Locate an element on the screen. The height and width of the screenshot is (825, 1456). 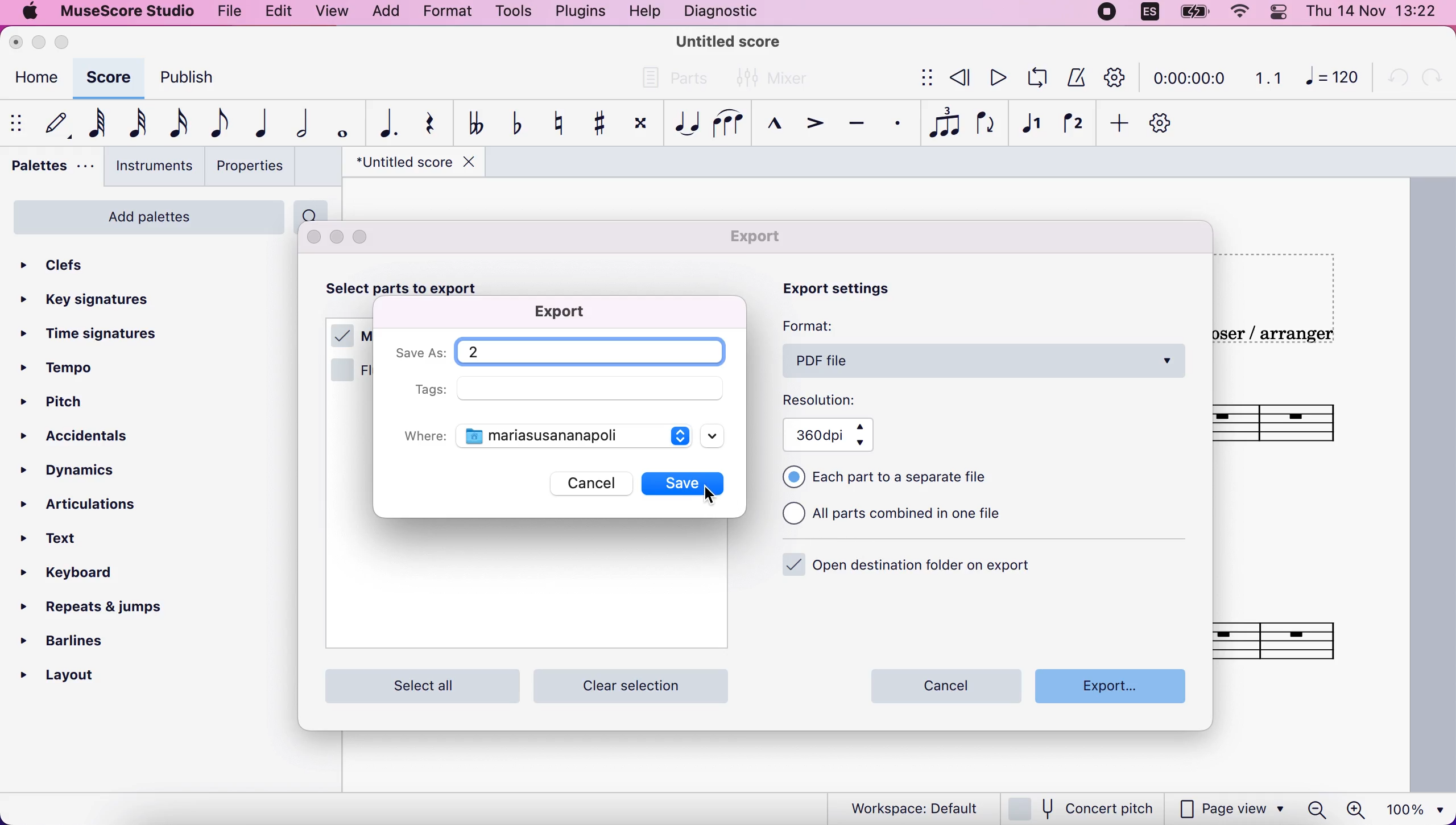
instruments is located at coordinates (149, 167).